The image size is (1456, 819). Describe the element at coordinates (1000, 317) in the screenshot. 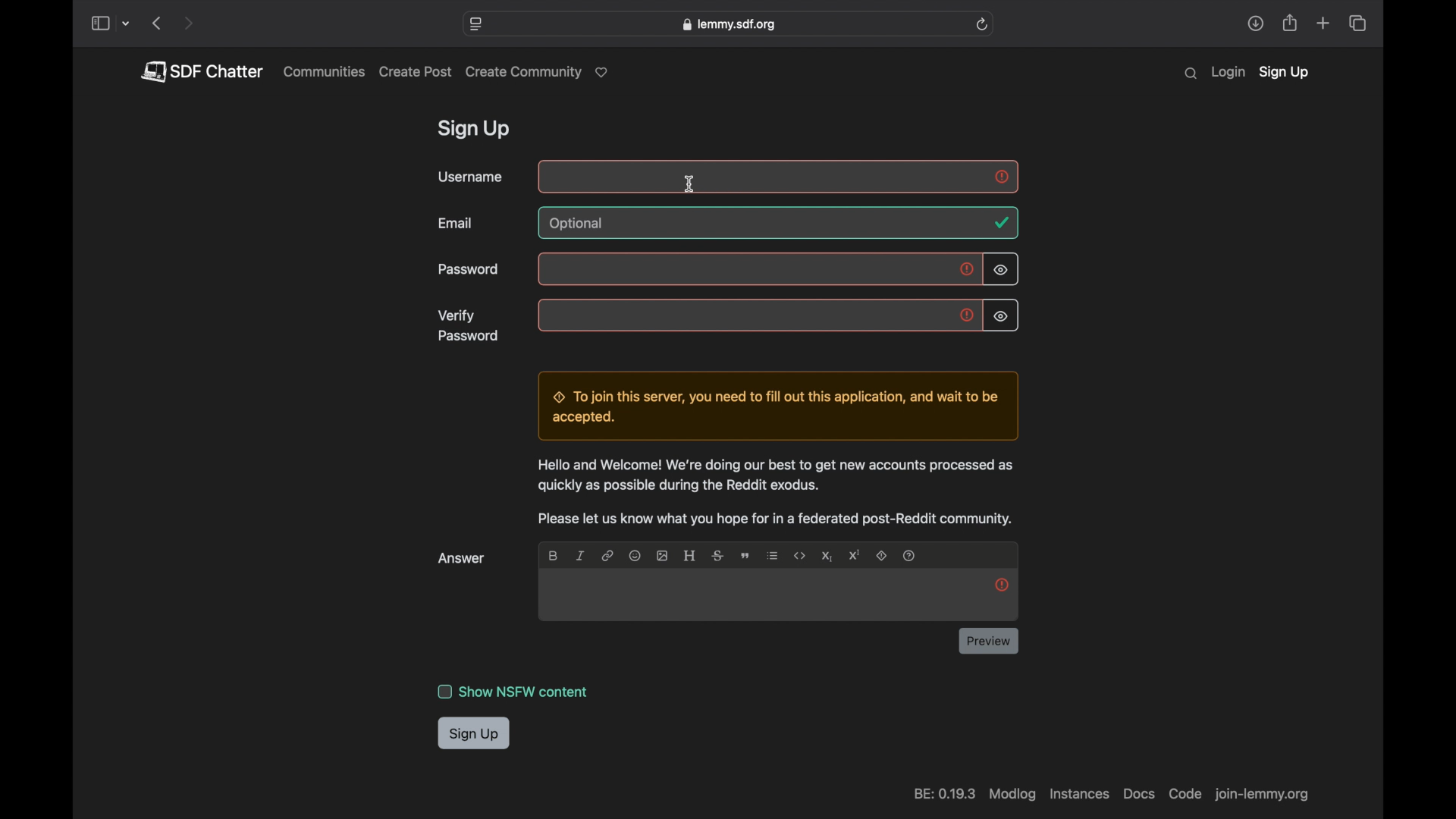

I see `visibility ` at that location.